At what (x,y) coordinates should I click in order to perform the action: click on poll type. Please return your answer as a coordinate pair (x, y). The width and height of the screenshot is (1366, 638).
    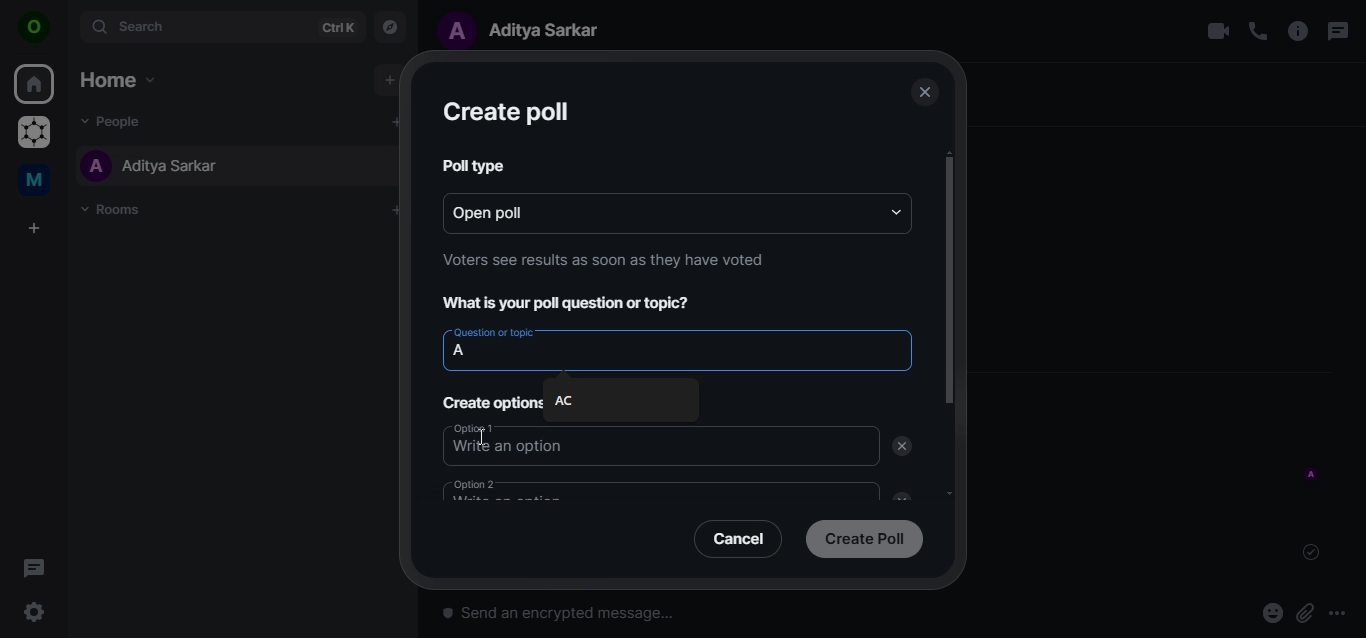
    Looking at the image, I should click on (470, 164).